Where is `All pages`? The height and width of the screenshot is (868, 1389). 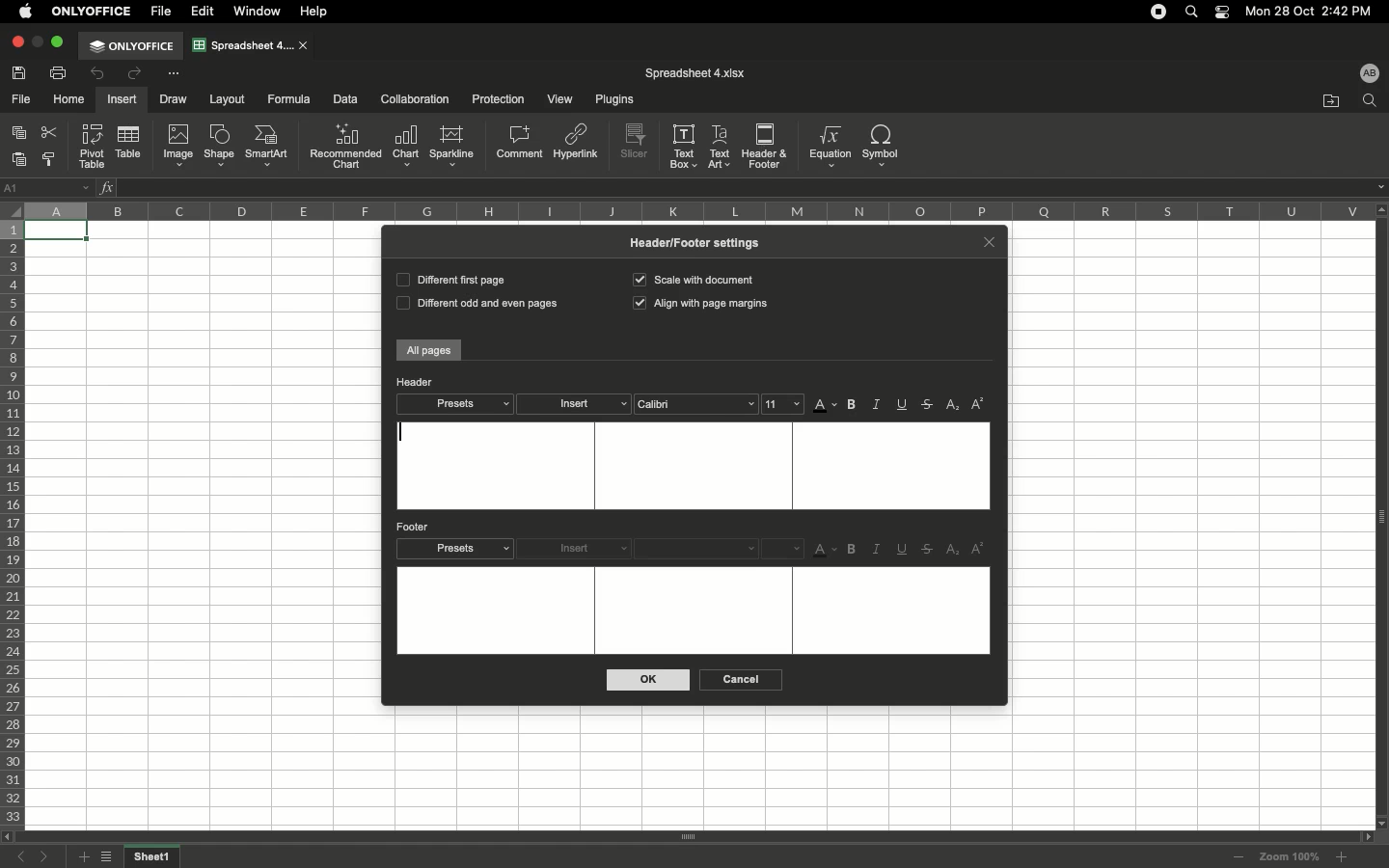
All pages is located at coordinates (429, 351).